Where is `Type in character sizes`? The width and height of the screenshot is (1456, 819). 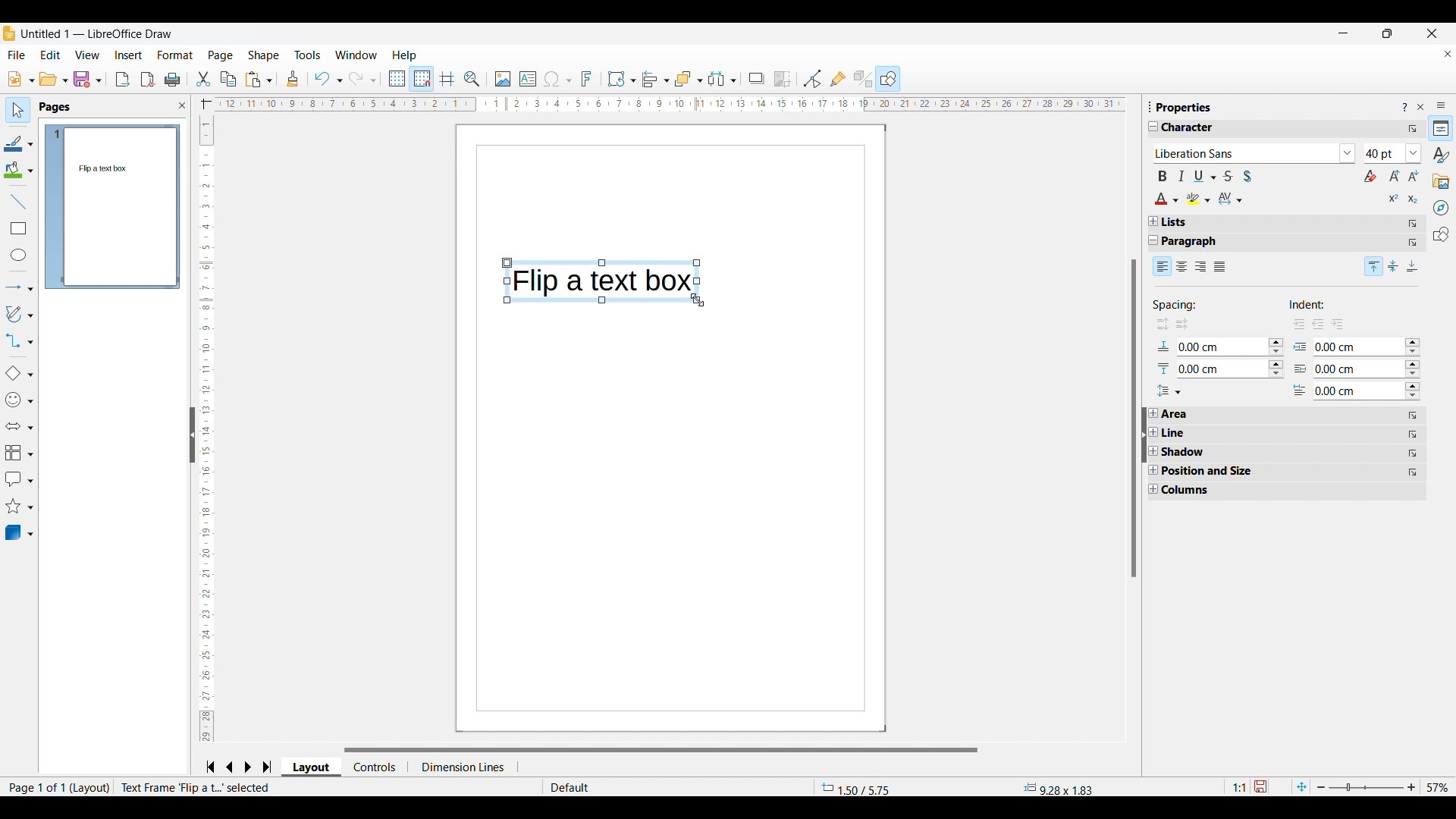
Type in character sizes is located at coordinates (1384, 155).